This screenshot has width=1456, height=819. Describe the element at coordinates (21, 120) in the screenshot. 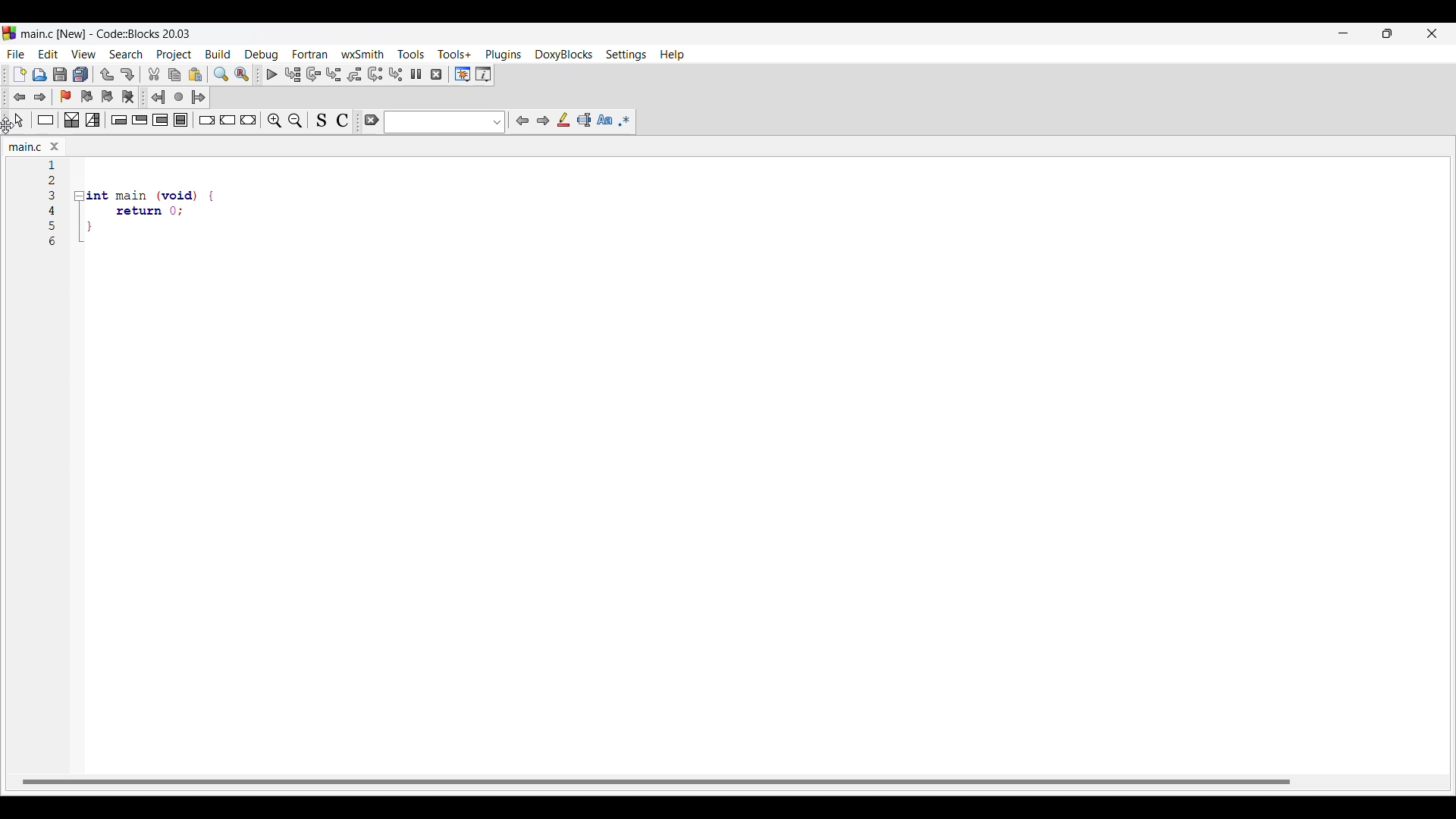

I see `Select` at that location.